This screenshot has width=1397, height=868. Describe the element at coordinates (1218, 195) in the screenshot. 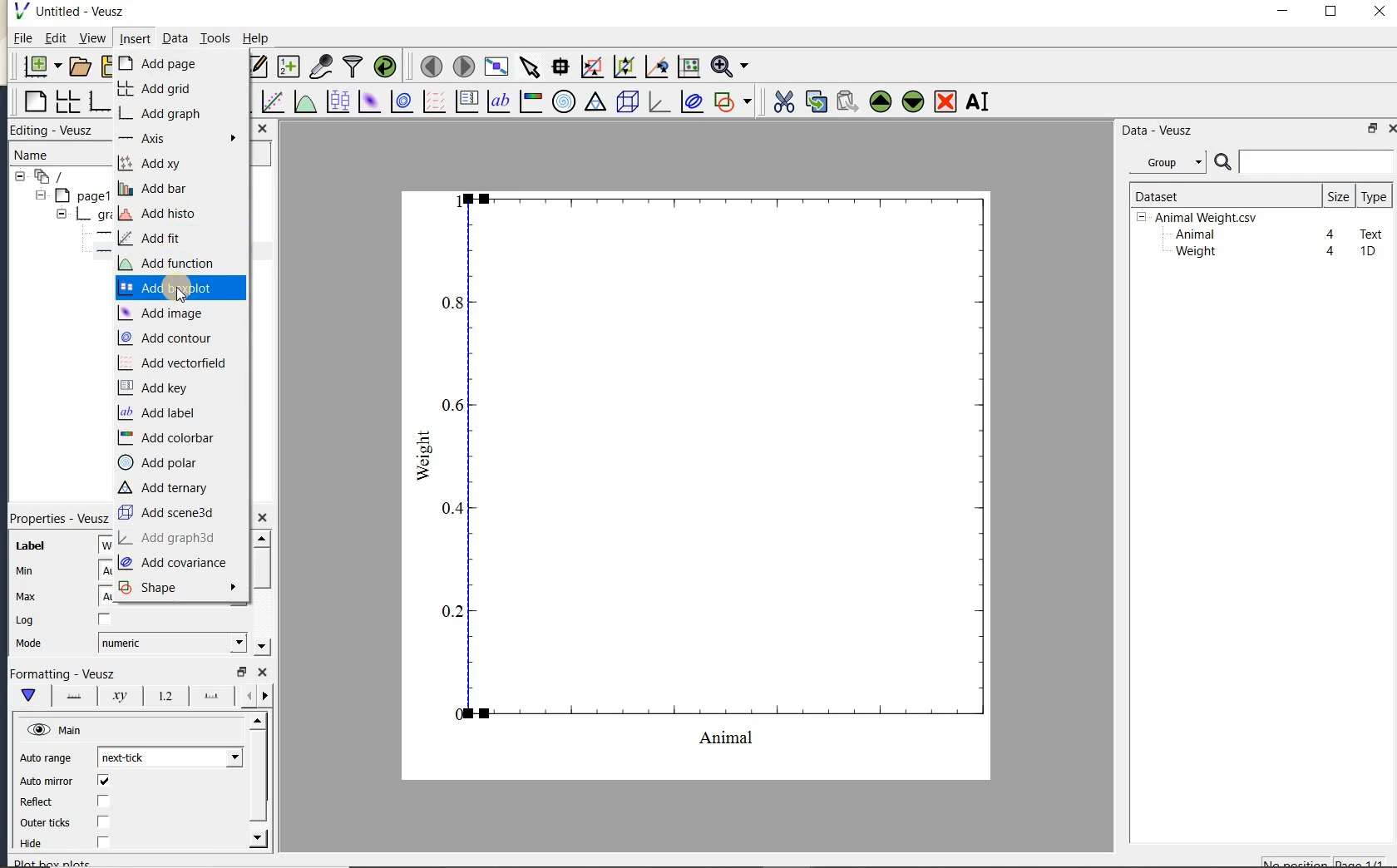

I see `Dataset` at that location.